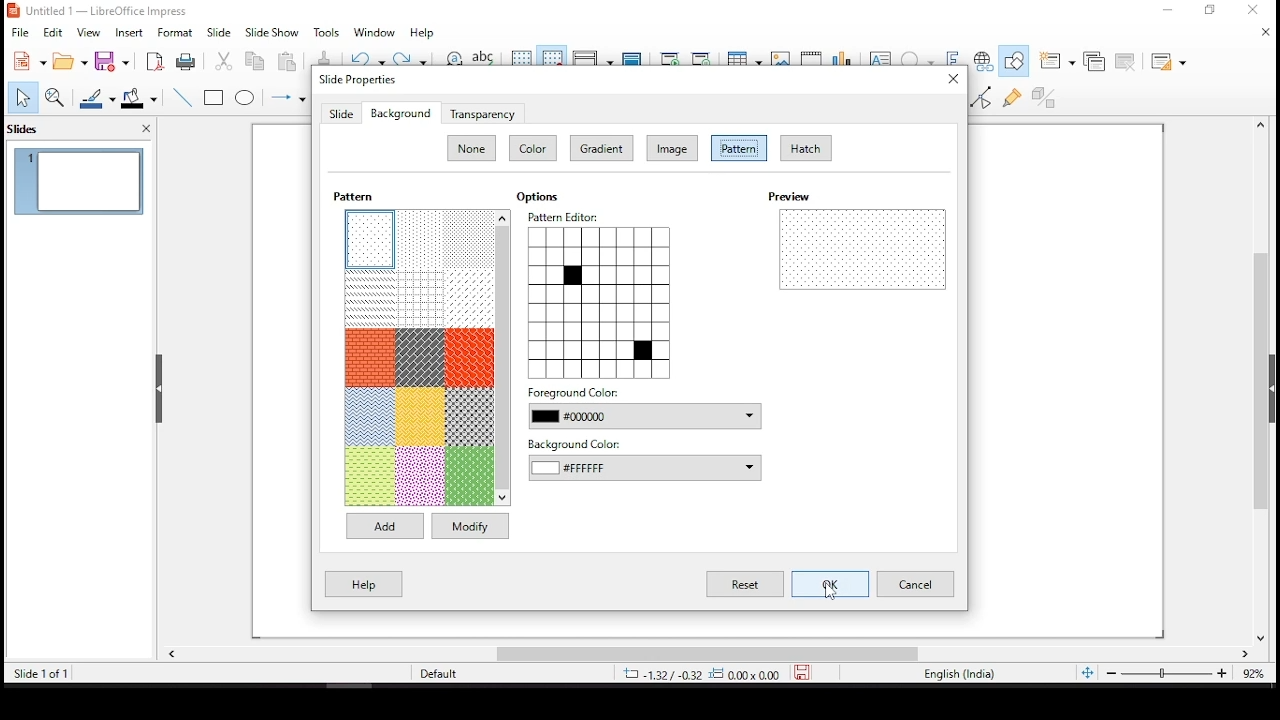  I want to click on Cursor, so click(834, 592).